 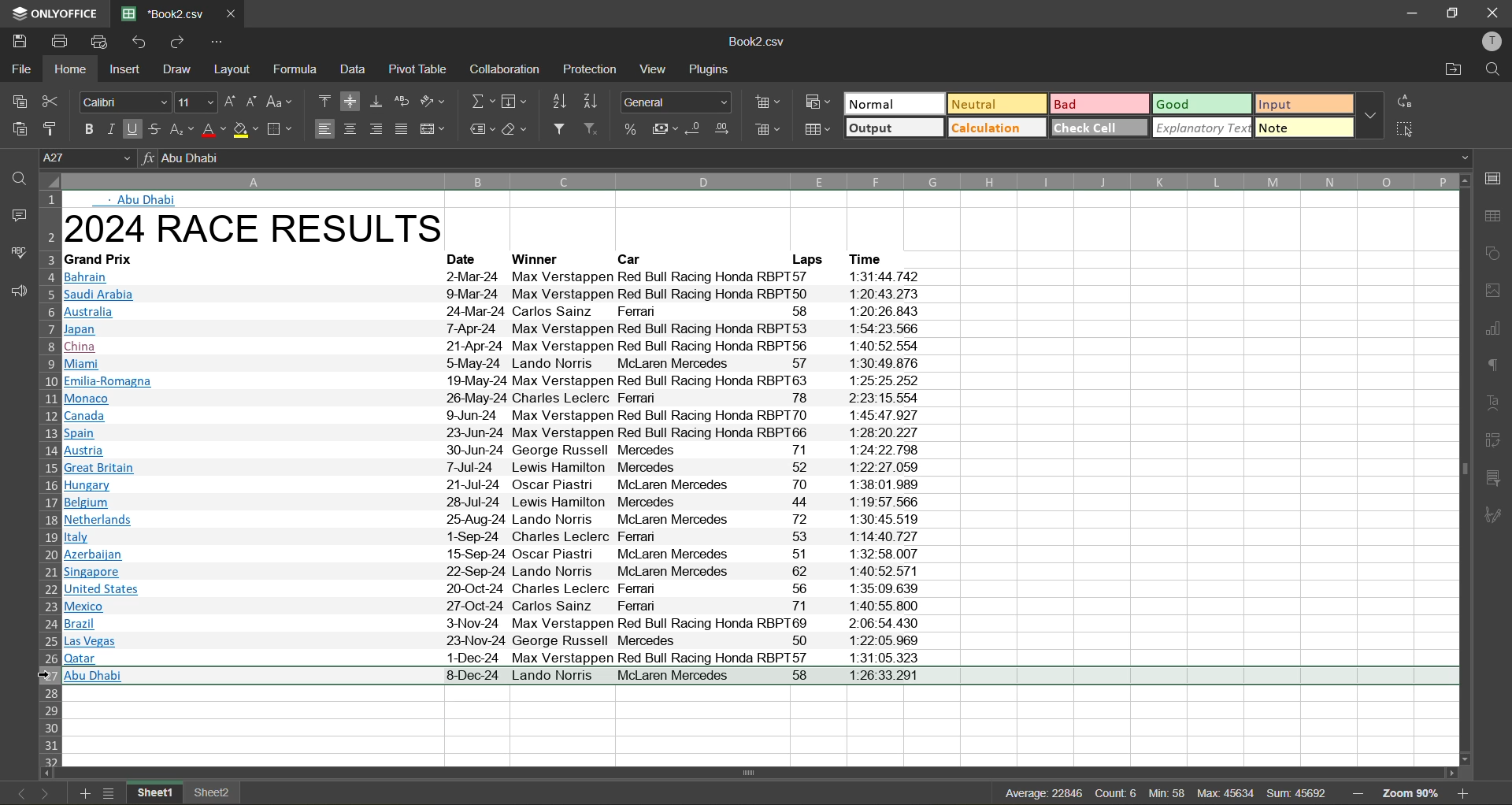 What do you see at coordinates (998, 128) in the screenshot?
I see `calculation` at bounding box center [998, 128].